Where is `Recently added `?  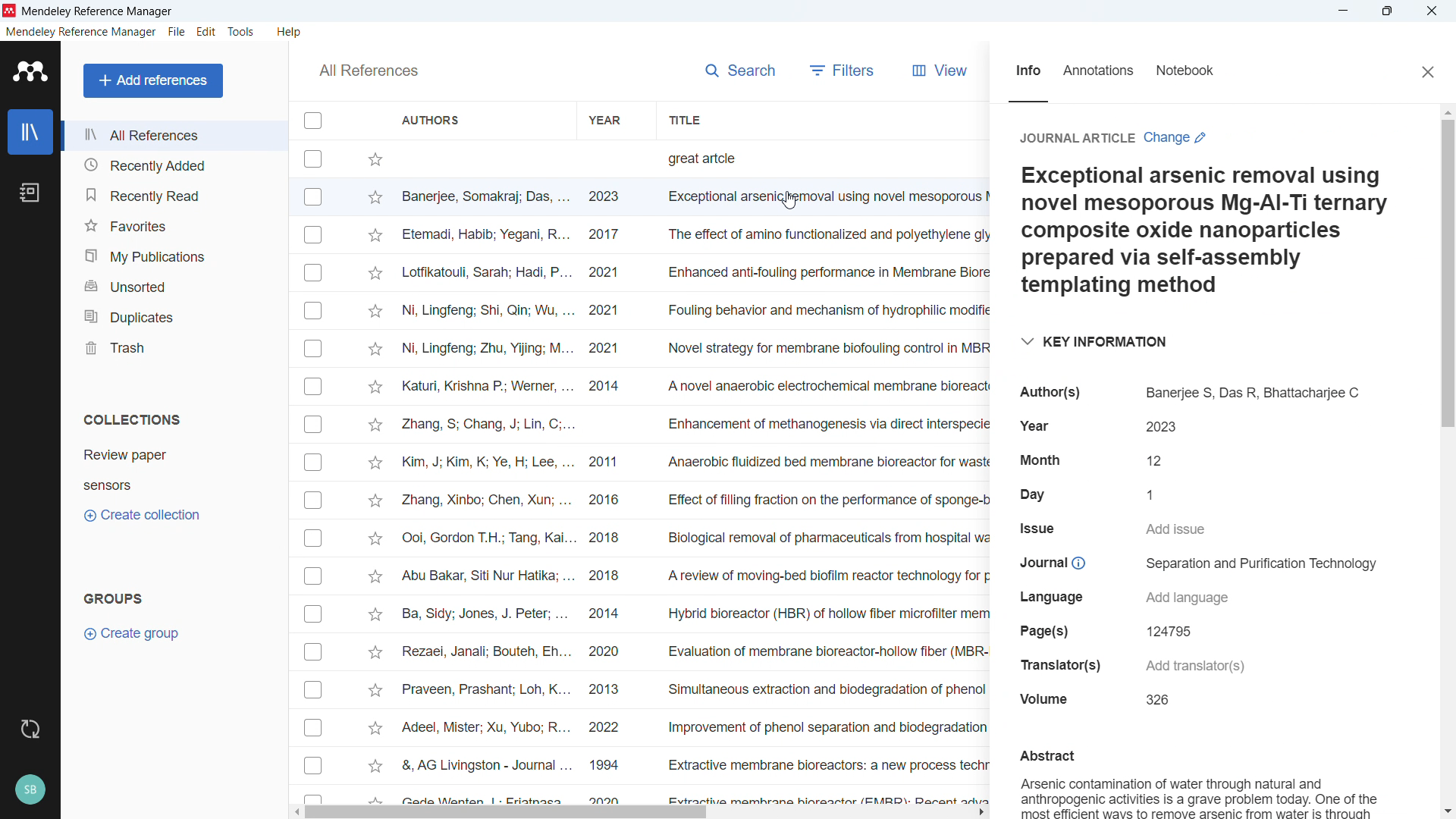 Recently added  is located at coordinates (171, 164).